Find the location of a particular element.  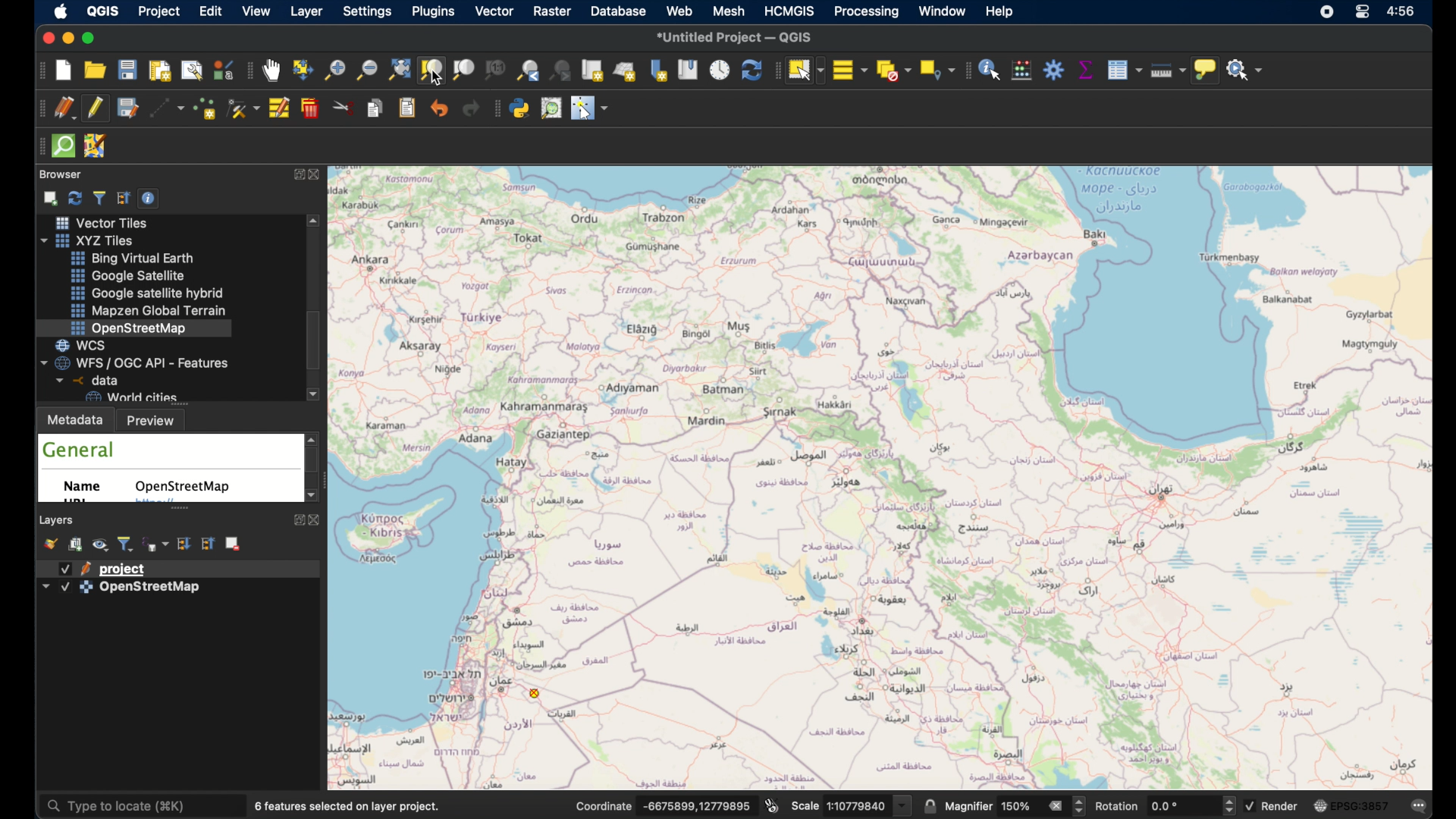

scroll box is located at coordinates (317, 341).